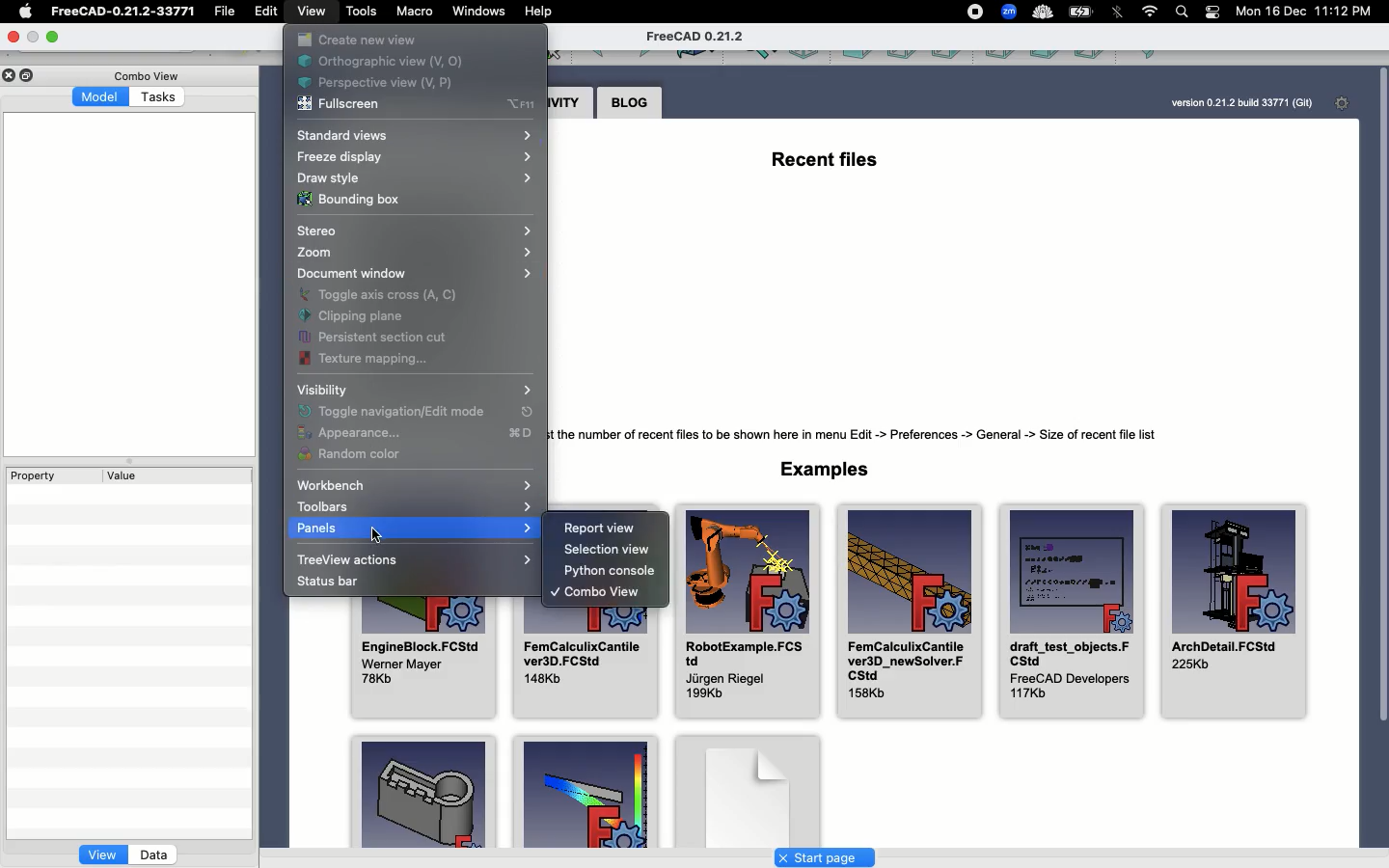  What do you see at coordinates (377, 535) in the screenshot?
I see `cursor` at bounding box center [377, 535].